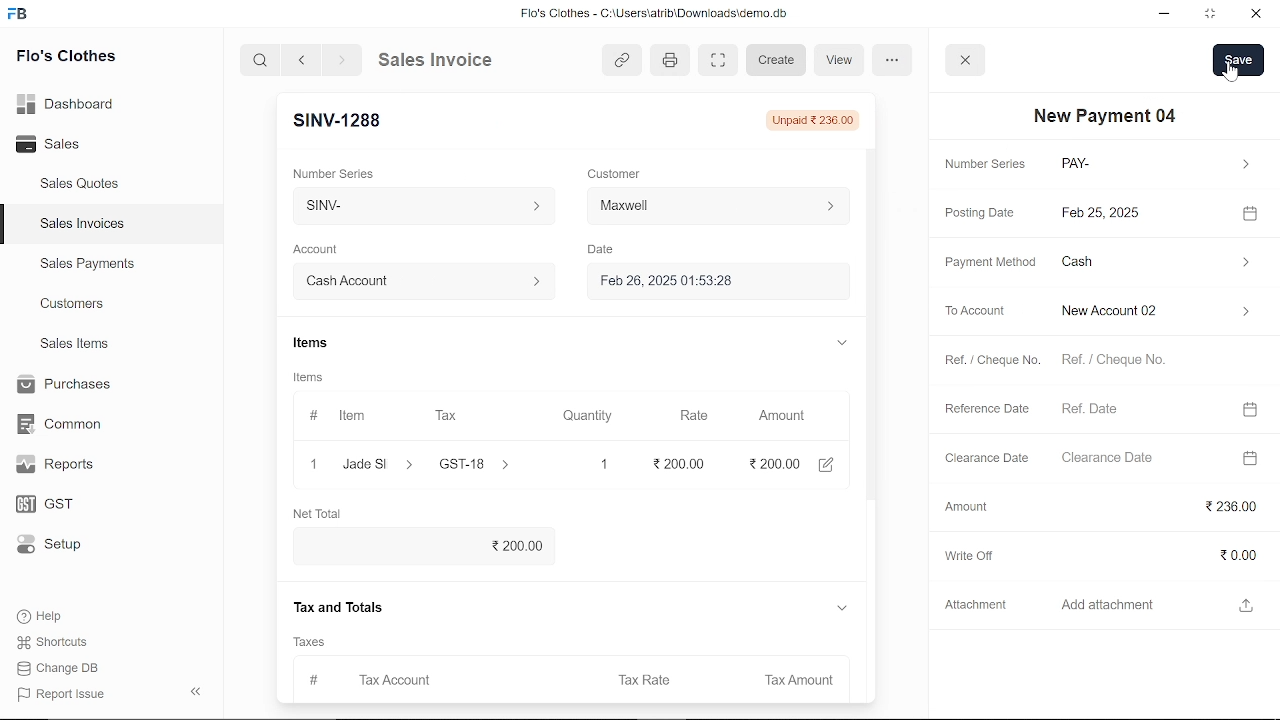  What do you see at coordinates (893, 60) in the screenshot?
I see `options` at bounding box center [893, 60].